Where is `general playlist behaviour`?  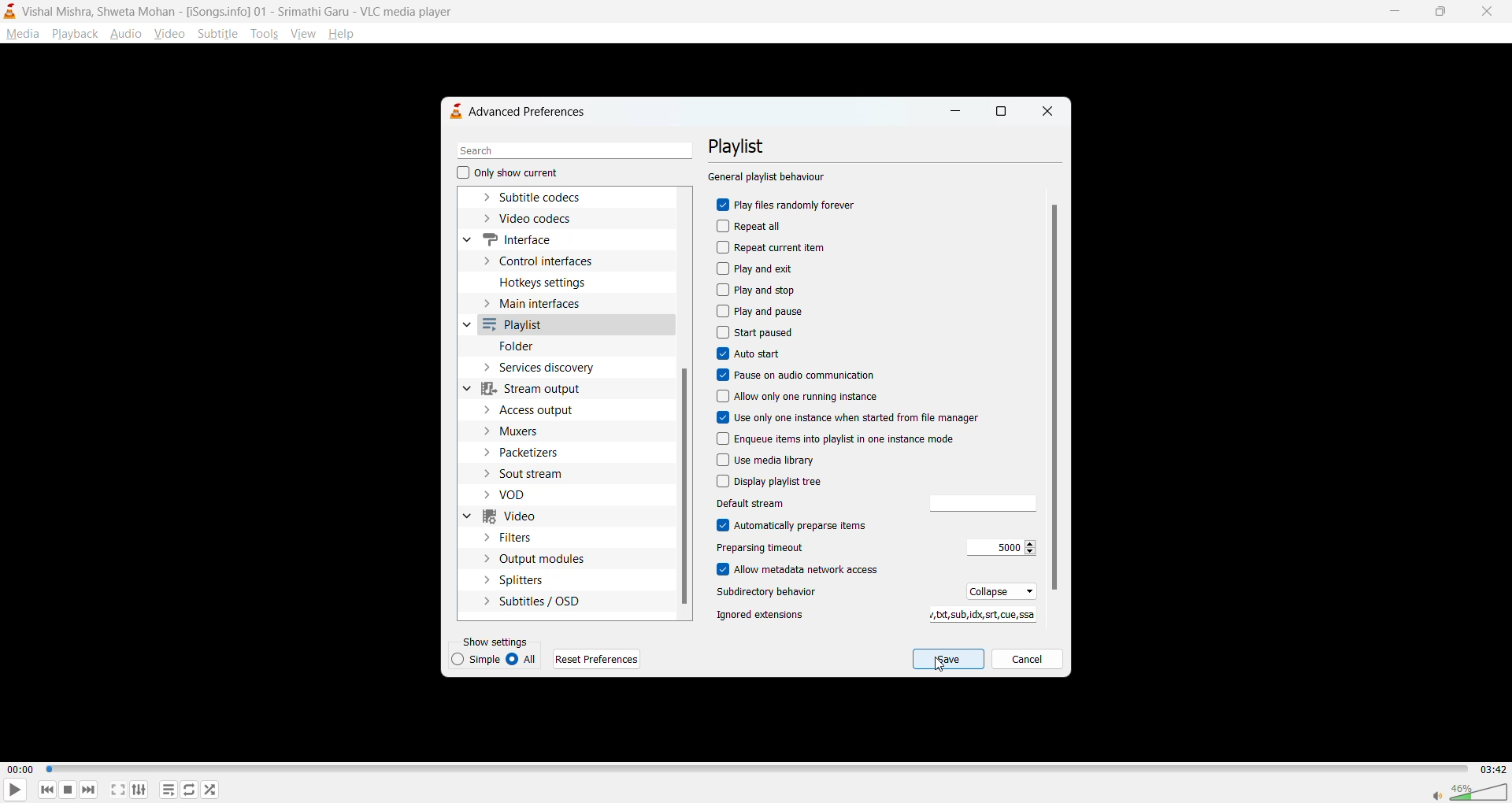
general playlist behaviour is located at coordinates (768, 178).